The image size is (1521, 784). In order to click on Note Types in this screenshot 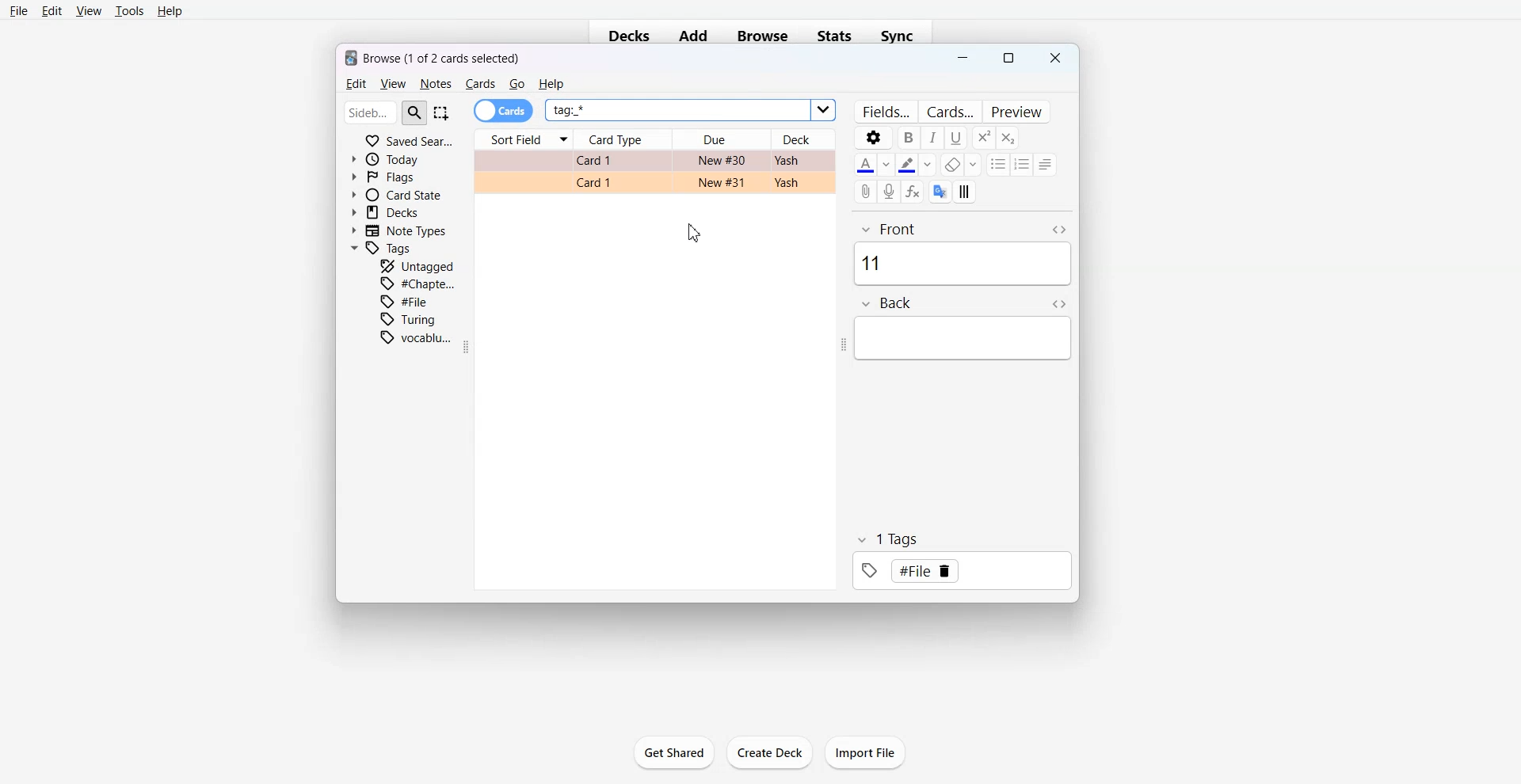, I will do `click(400, 230)`.